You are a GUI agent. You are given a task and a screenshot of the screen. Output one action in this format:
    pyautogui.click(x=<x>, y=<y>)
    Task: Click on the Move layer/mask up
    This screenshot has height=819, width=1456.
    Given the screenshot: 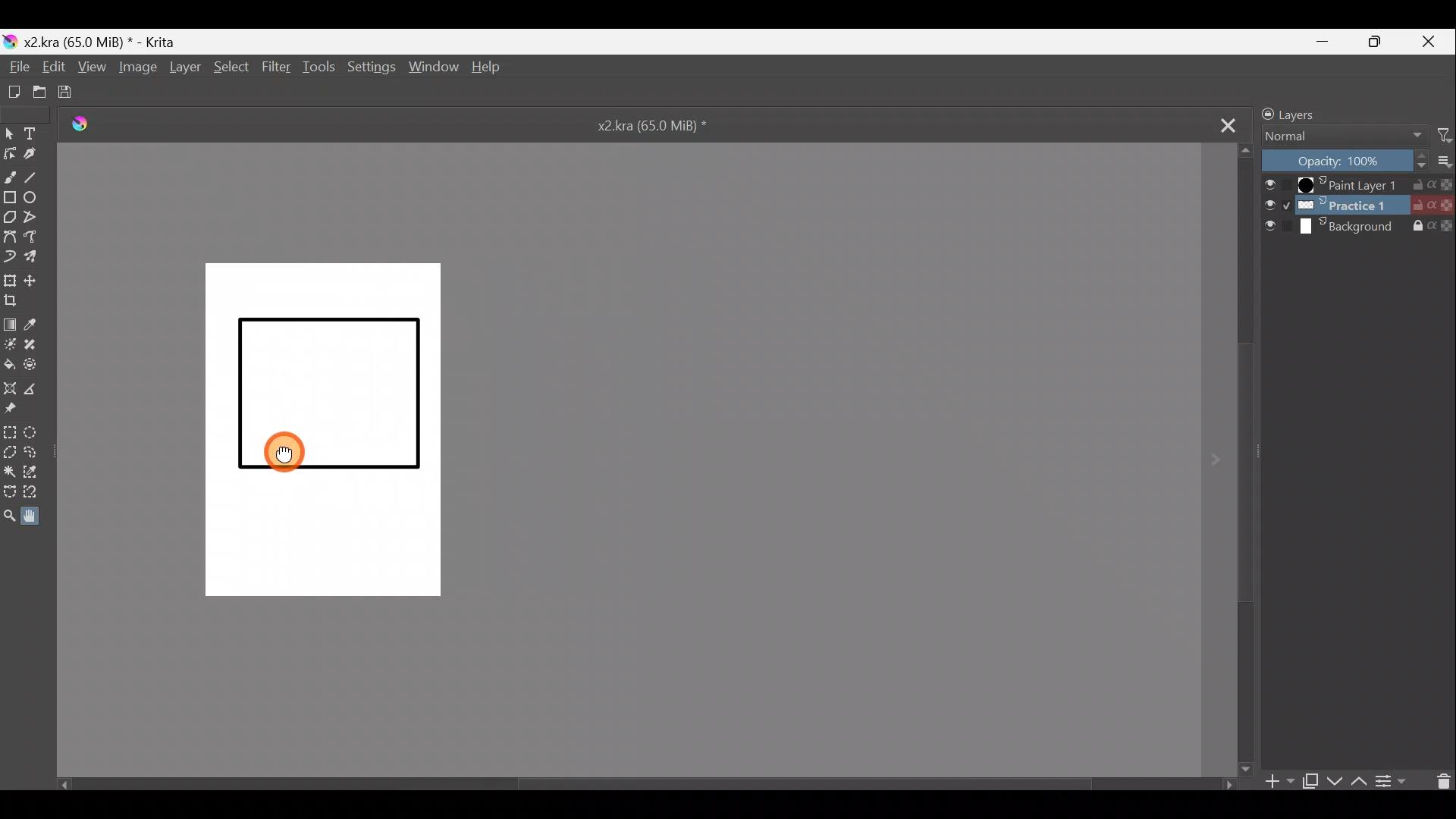 What is the action you would take?
    pyautogui.click(x=1355, y=782)
    